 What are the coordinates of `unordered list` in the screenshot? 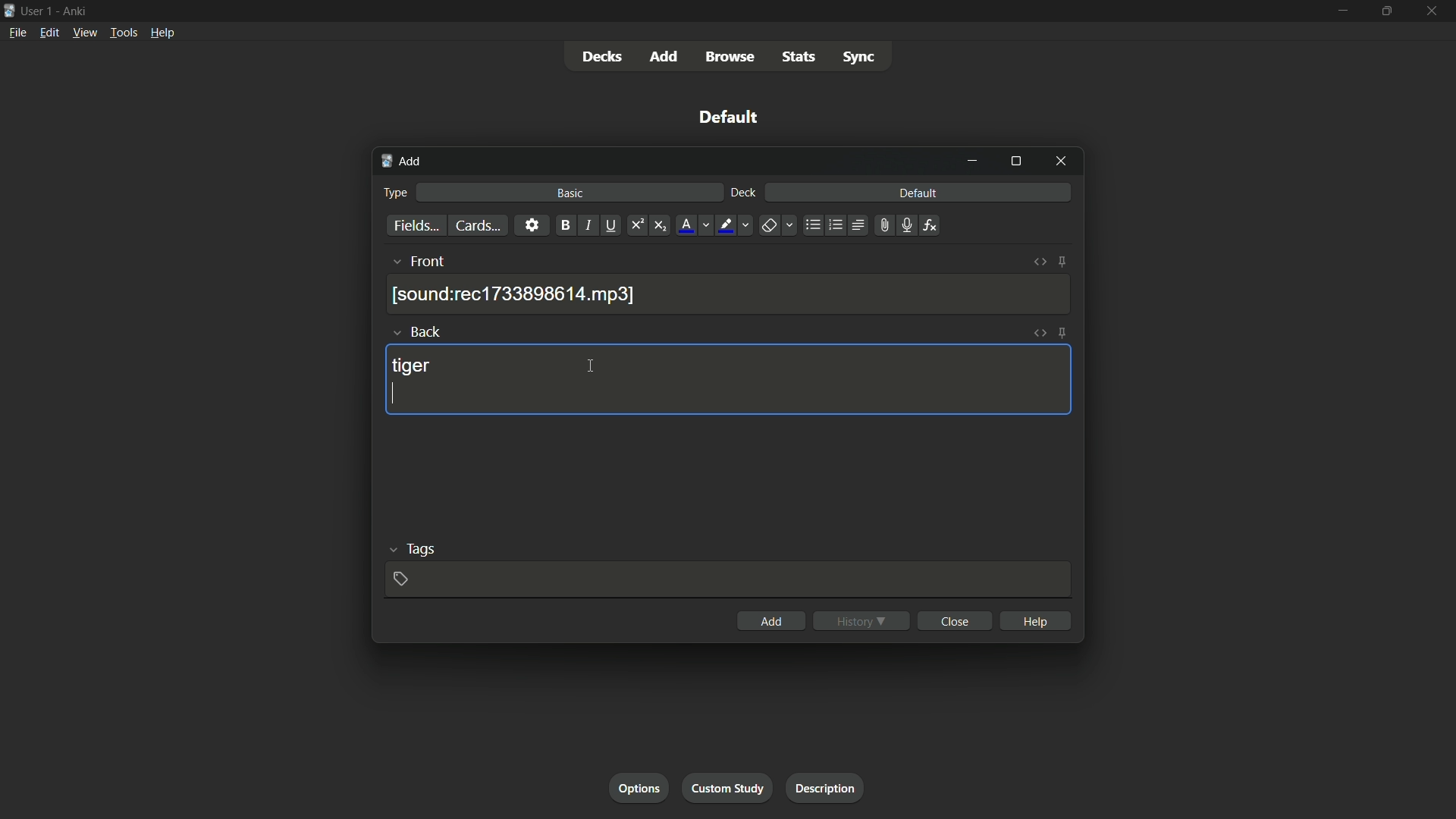 It's located at (812, 225).